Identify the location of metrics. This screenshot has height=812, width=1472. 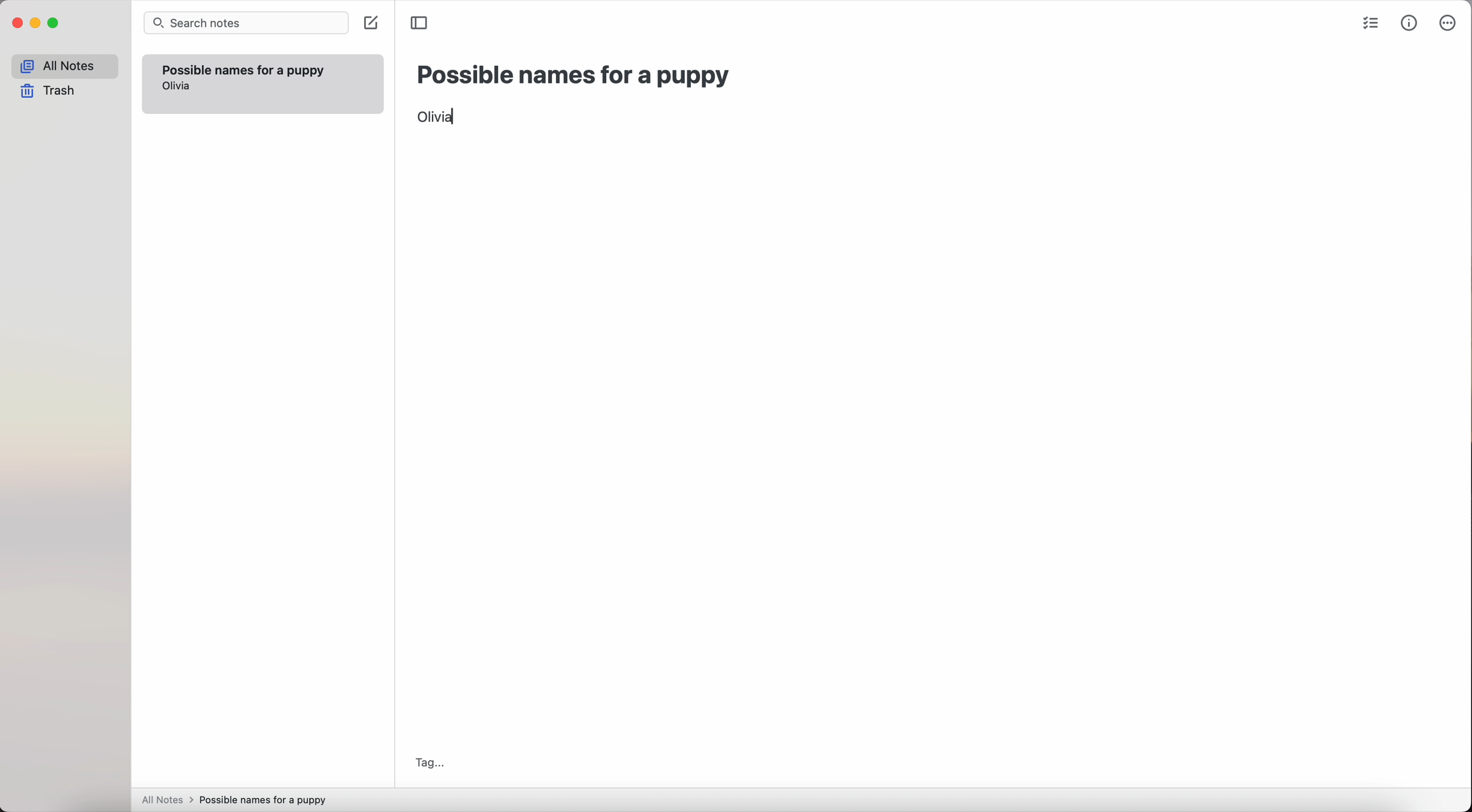
(1410, 23).